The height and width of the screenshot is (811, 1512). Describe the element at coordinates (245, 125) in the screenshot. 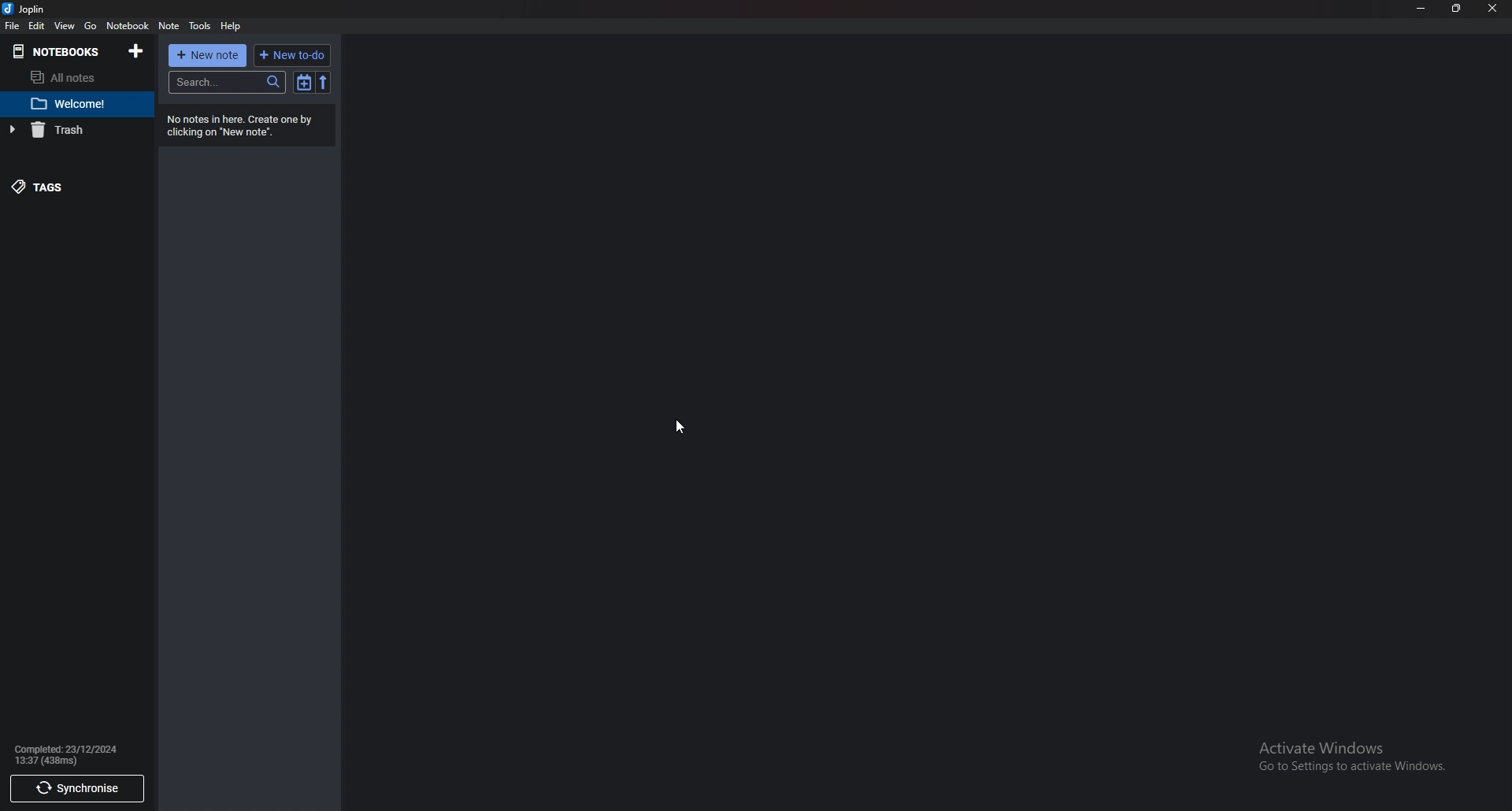

I see `Info` at that location.